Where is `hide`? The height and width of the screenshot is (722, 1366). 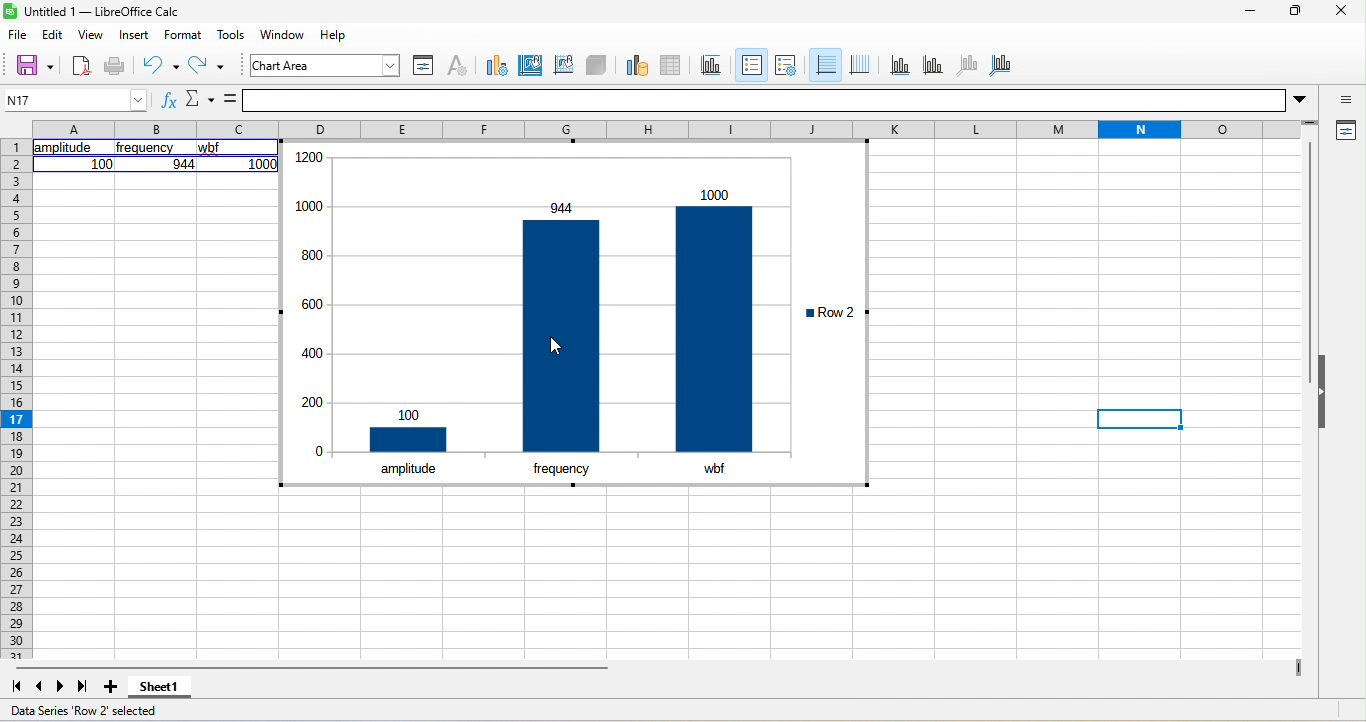
hide is located at coordinates (1324, 396).